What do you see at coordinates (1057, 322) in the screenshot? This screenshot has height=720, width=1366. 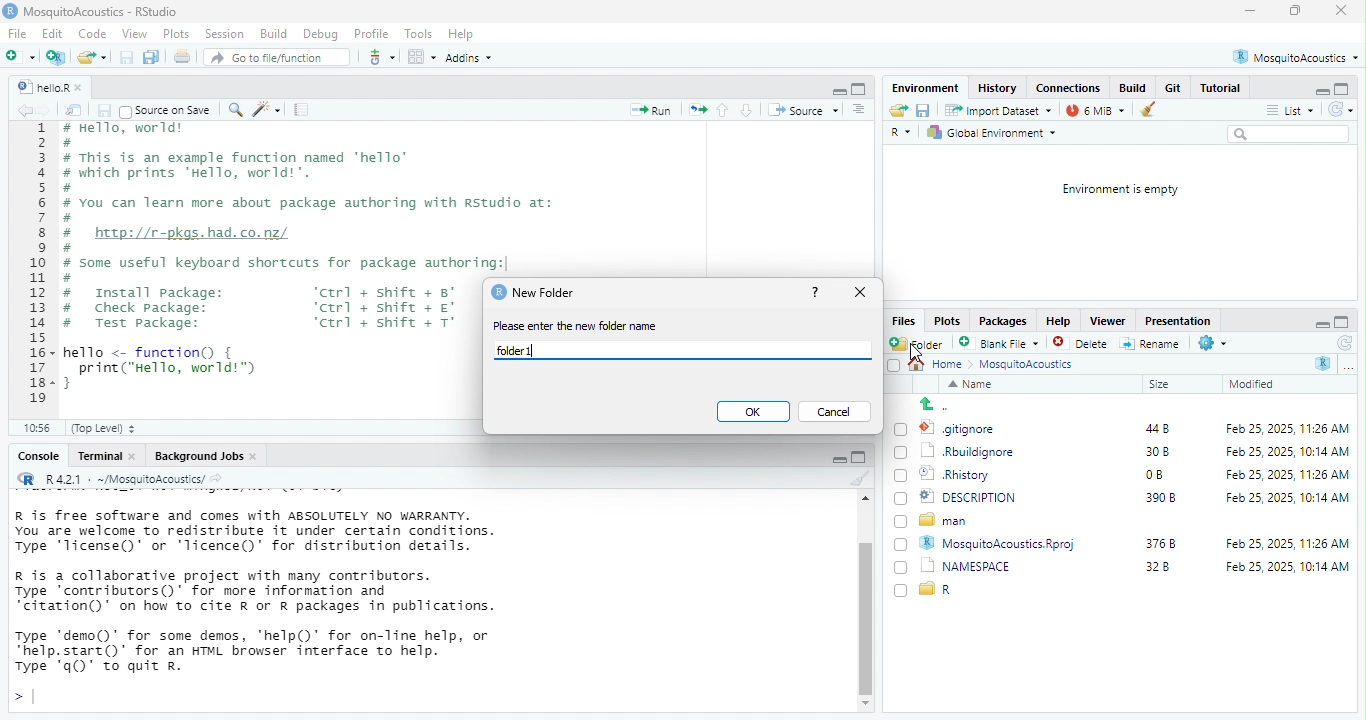 I see `Help` at bounding box center [1057, 322].